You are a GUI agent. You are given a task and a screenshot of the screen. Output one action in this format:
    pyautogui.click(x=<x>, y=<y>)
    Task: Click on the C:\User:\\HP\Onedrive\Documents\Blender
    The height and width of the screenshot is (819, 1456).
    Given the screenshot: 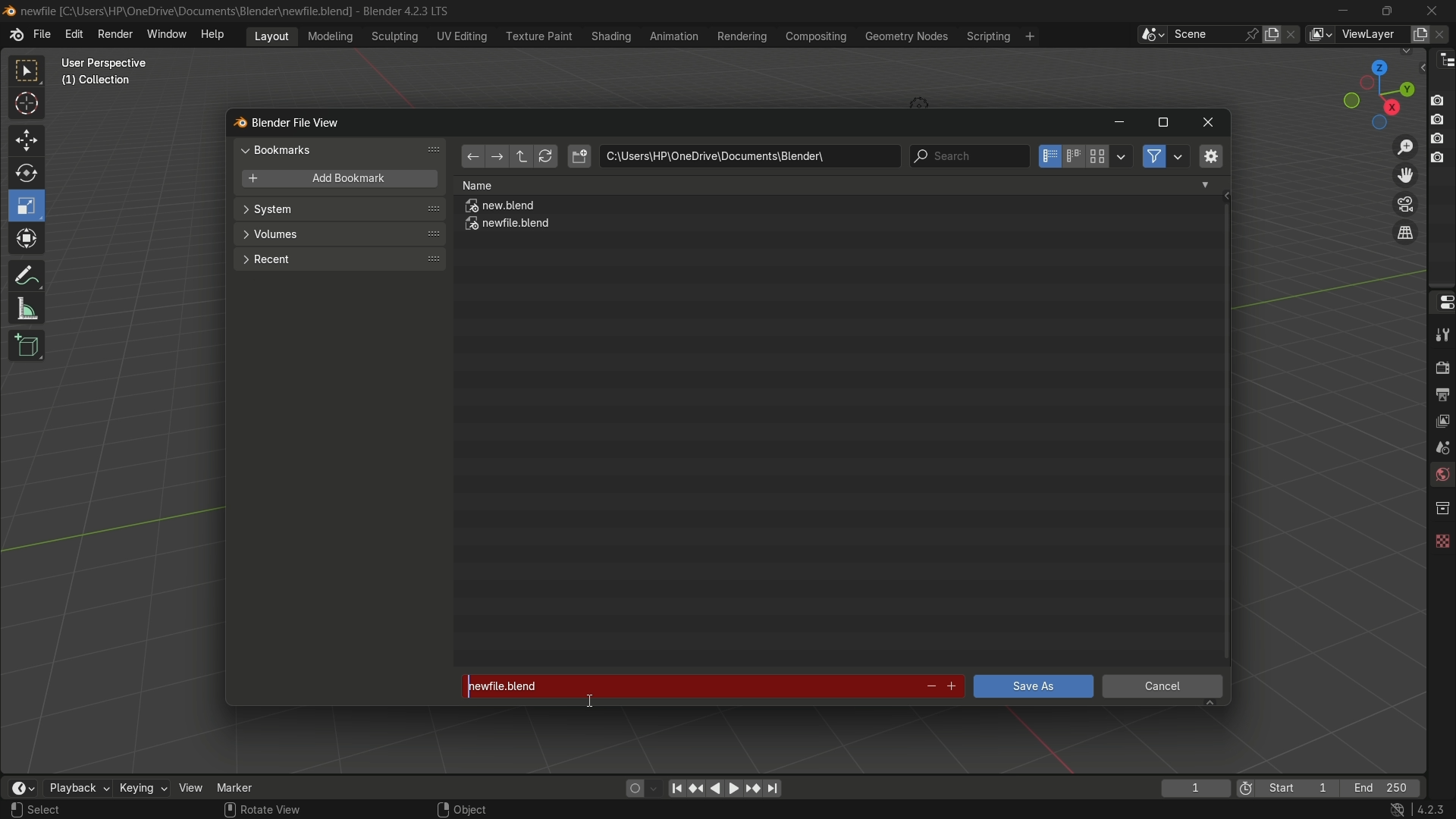 What is the action you would take?
    pyautogui.click(x=187, y=11)
    